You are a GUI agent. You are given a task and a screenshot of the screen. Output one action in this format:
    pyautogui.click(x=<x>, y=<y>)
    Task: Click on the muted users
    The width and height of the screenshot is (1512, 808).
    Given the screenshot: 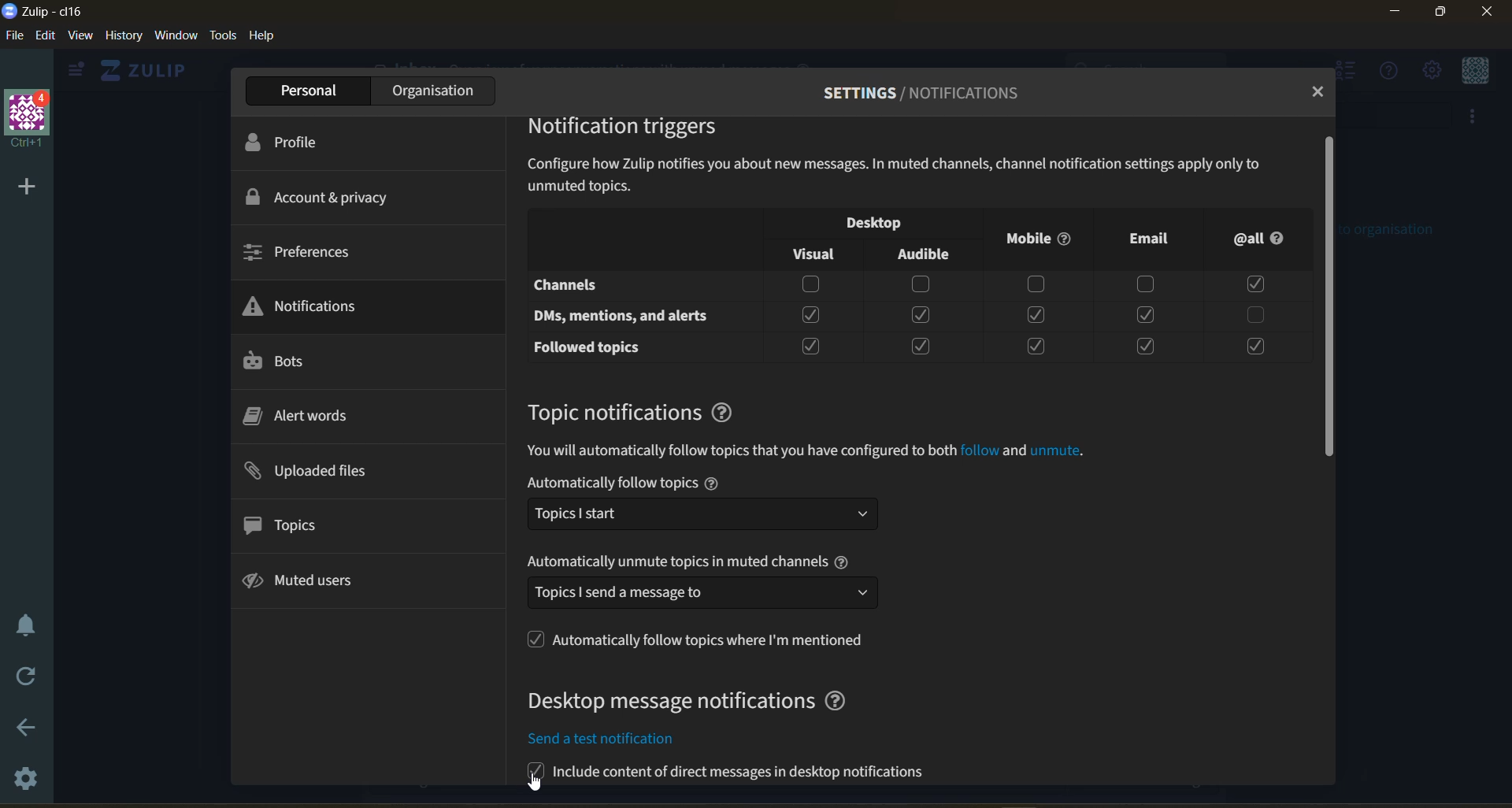 What is the action you would take?
    pyautogui.click(x=310, y=584)
    